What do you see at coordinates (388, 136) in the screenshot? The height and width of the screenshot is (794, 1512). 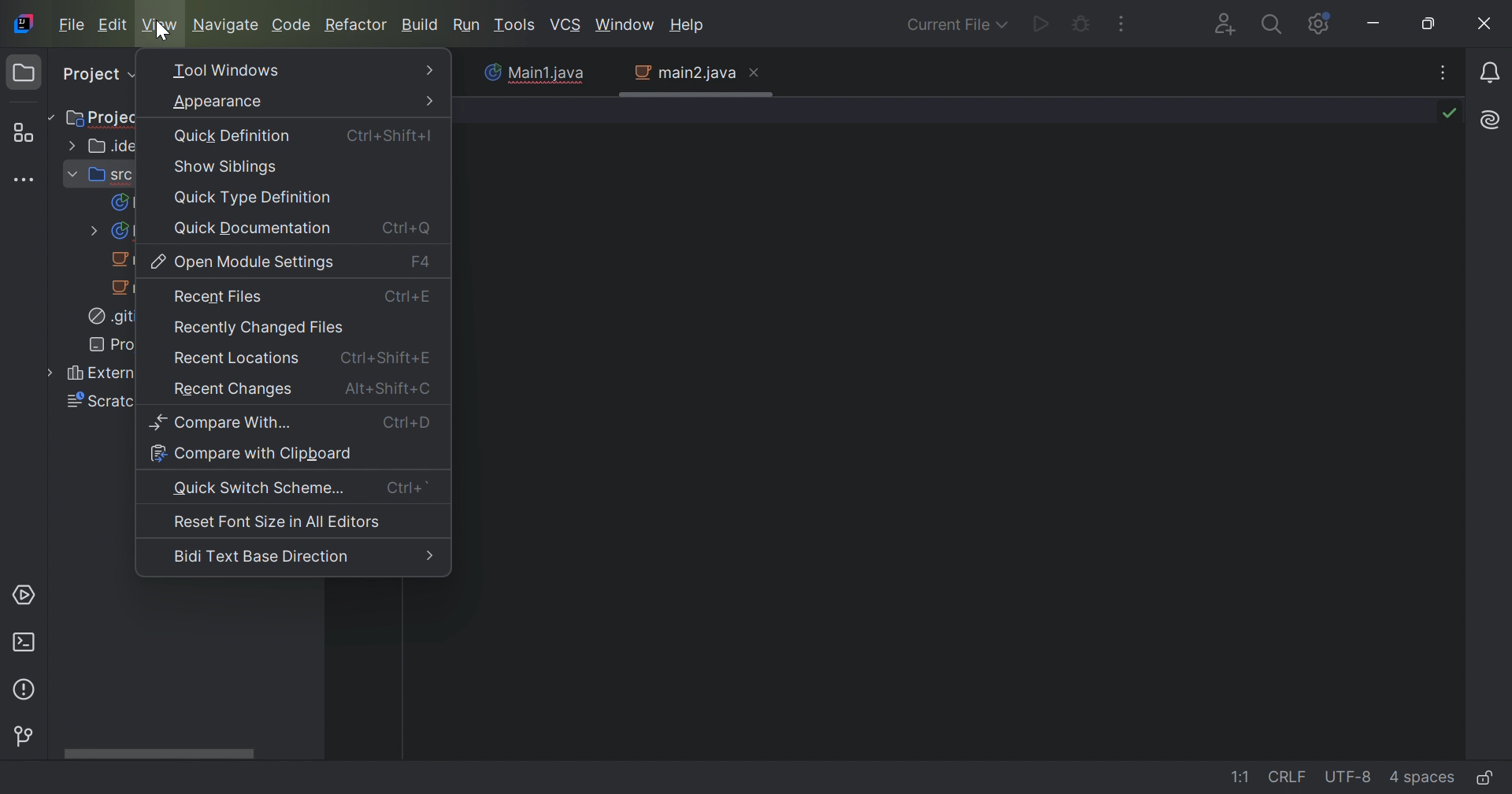 I see `Ctrl+Shift+I` at bounding box center [388, 136].